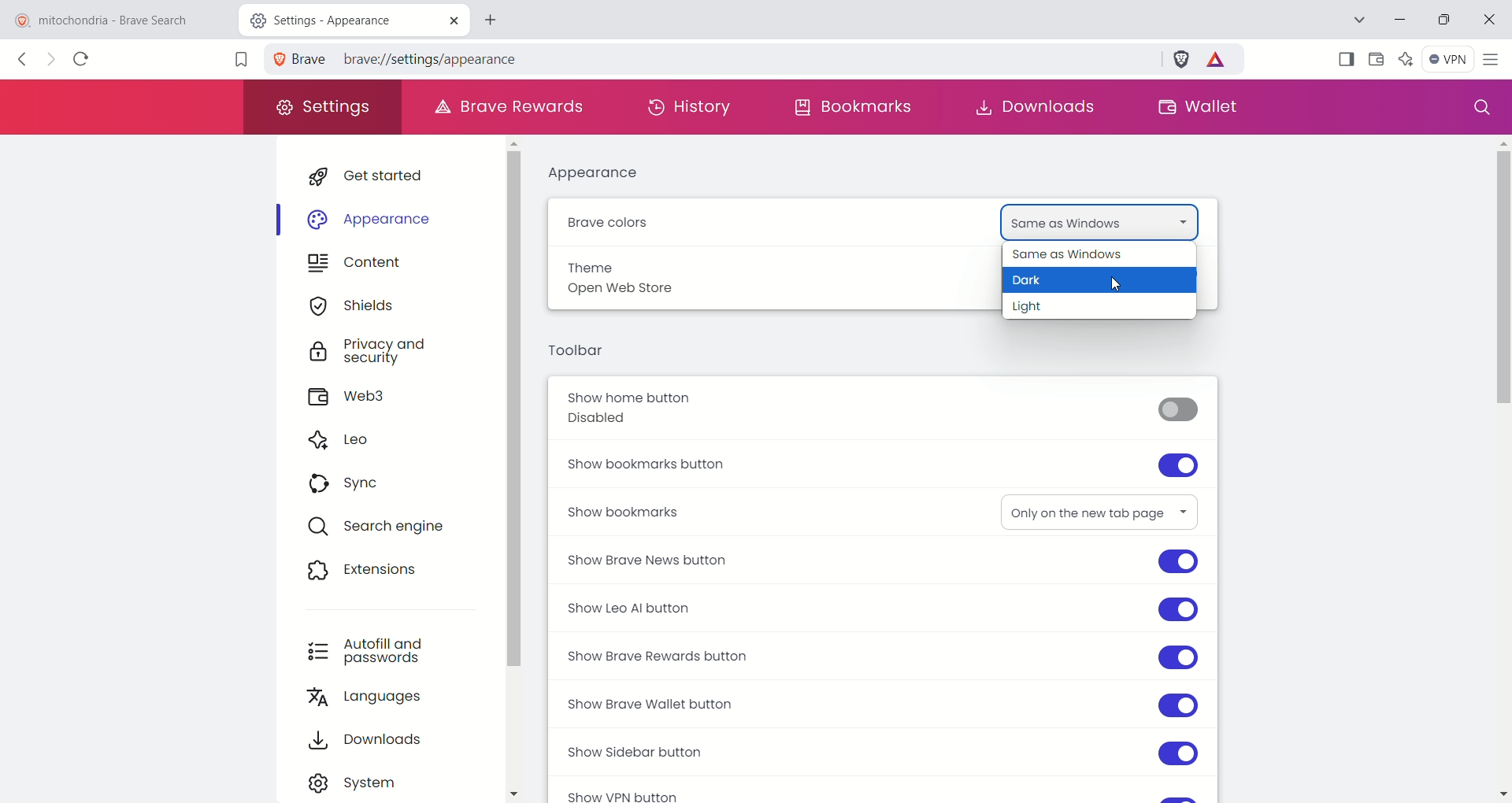 The height and width of the screenshot is (803, 1512). What do you see at coordinates (386, 174) in the screenshot?
I see `get started` at bounding box center [386, 174].